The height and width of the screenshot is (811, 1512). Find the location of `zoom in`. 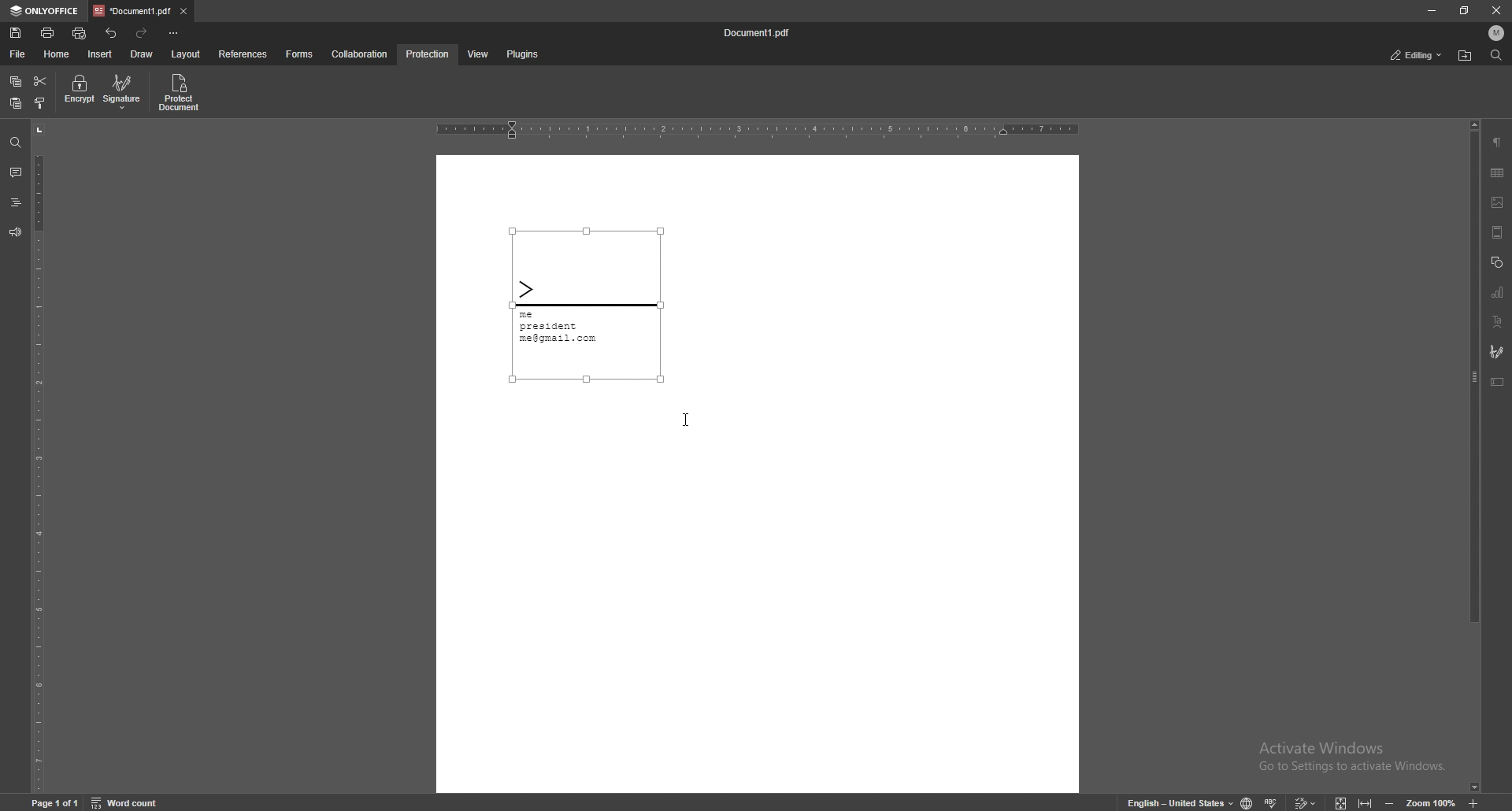

zoom in is located at coordinates (1487, 803).